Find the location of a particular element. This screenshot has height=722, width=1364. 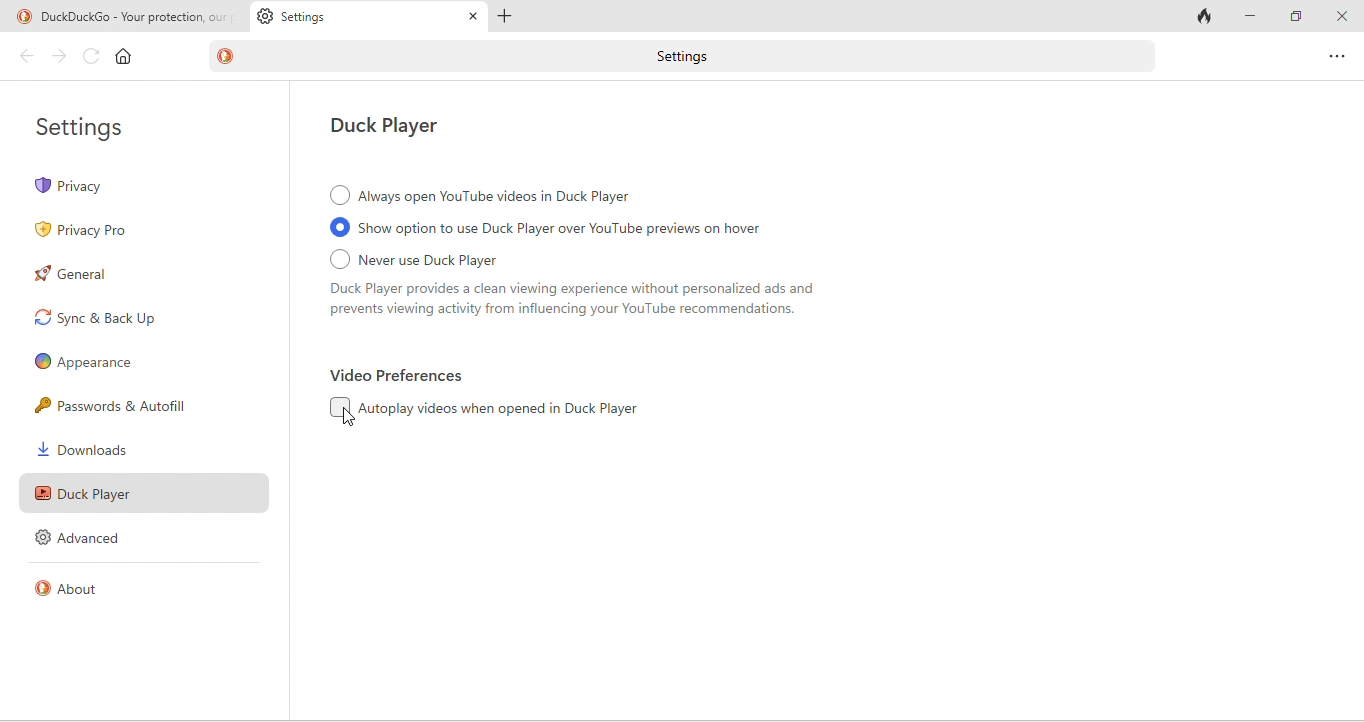

home is located at coordinates (124, 56).